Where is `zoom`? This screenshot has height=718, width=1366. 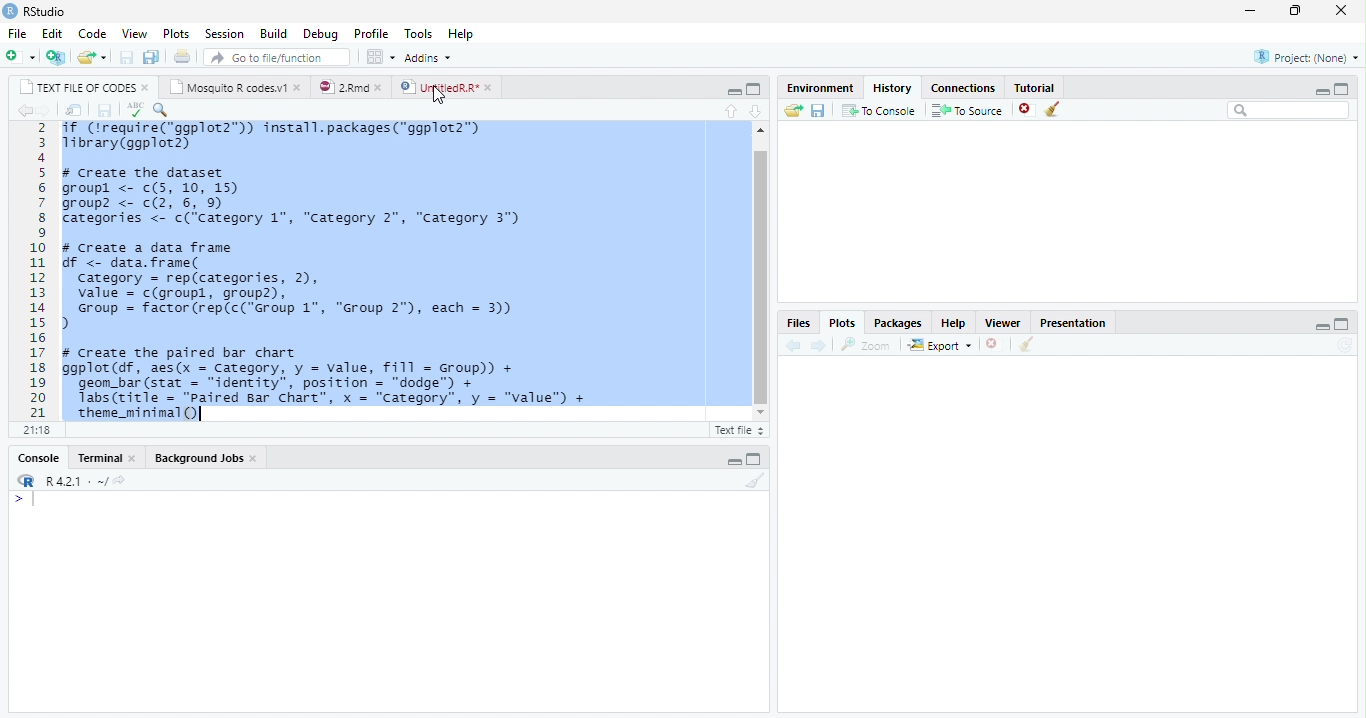 zoom is located at coordinates (867, 344).